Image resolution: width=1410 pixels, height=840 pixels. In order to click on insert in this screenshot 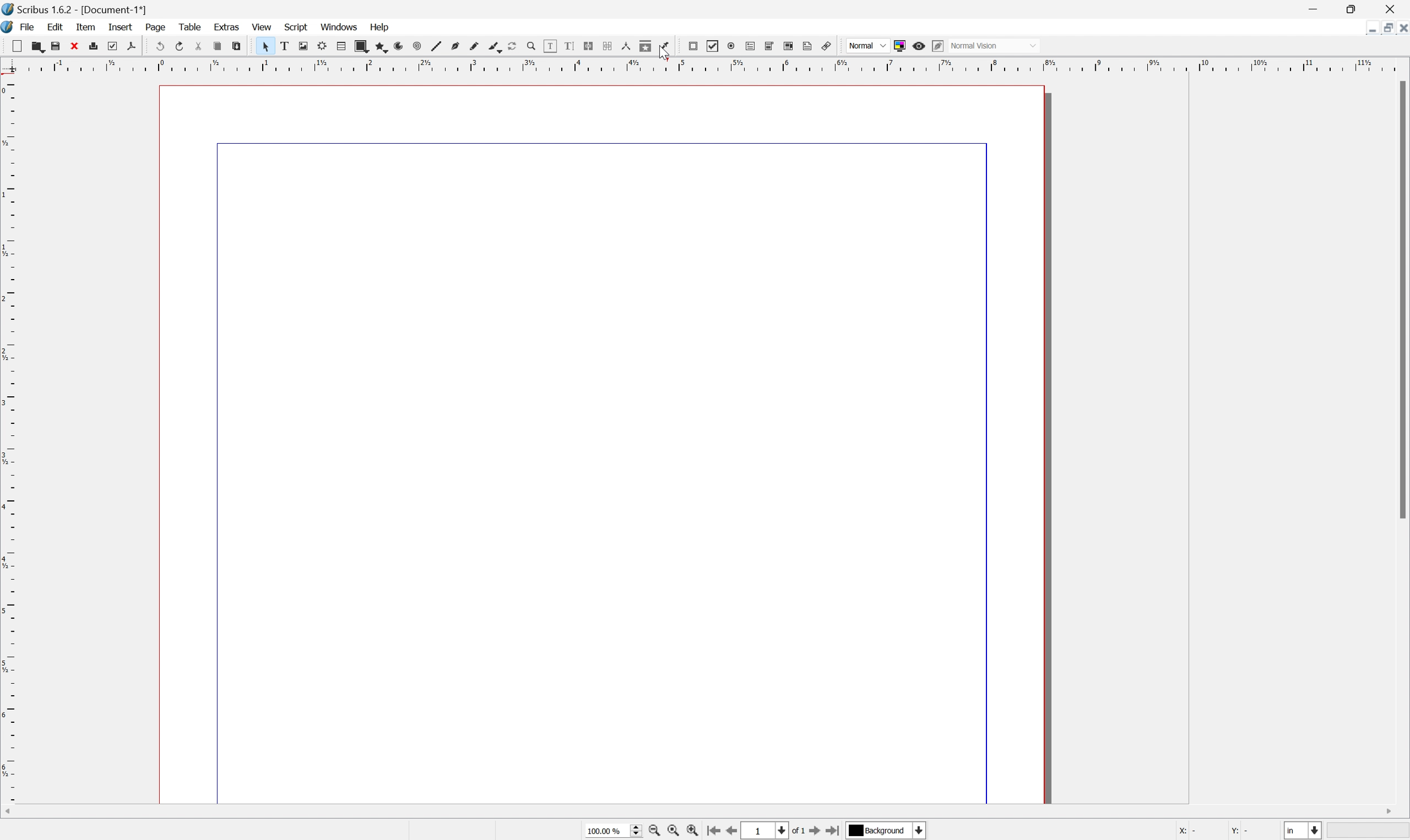, I will do `click(121, 28)`.